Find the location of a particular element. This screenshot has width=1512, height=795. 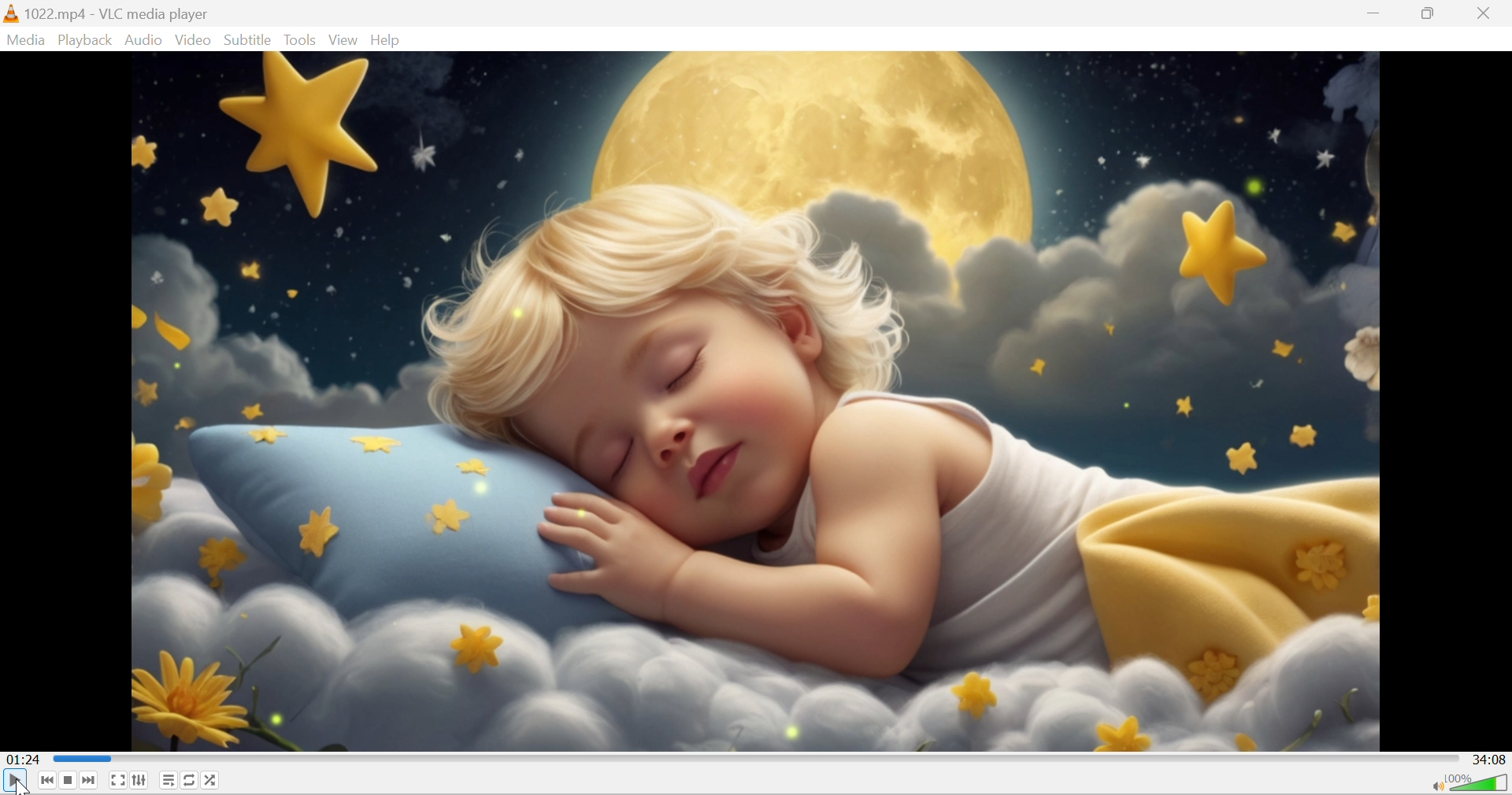

Click to toggle between loop all, loop one and no loop is located at coordinates (191, 780).